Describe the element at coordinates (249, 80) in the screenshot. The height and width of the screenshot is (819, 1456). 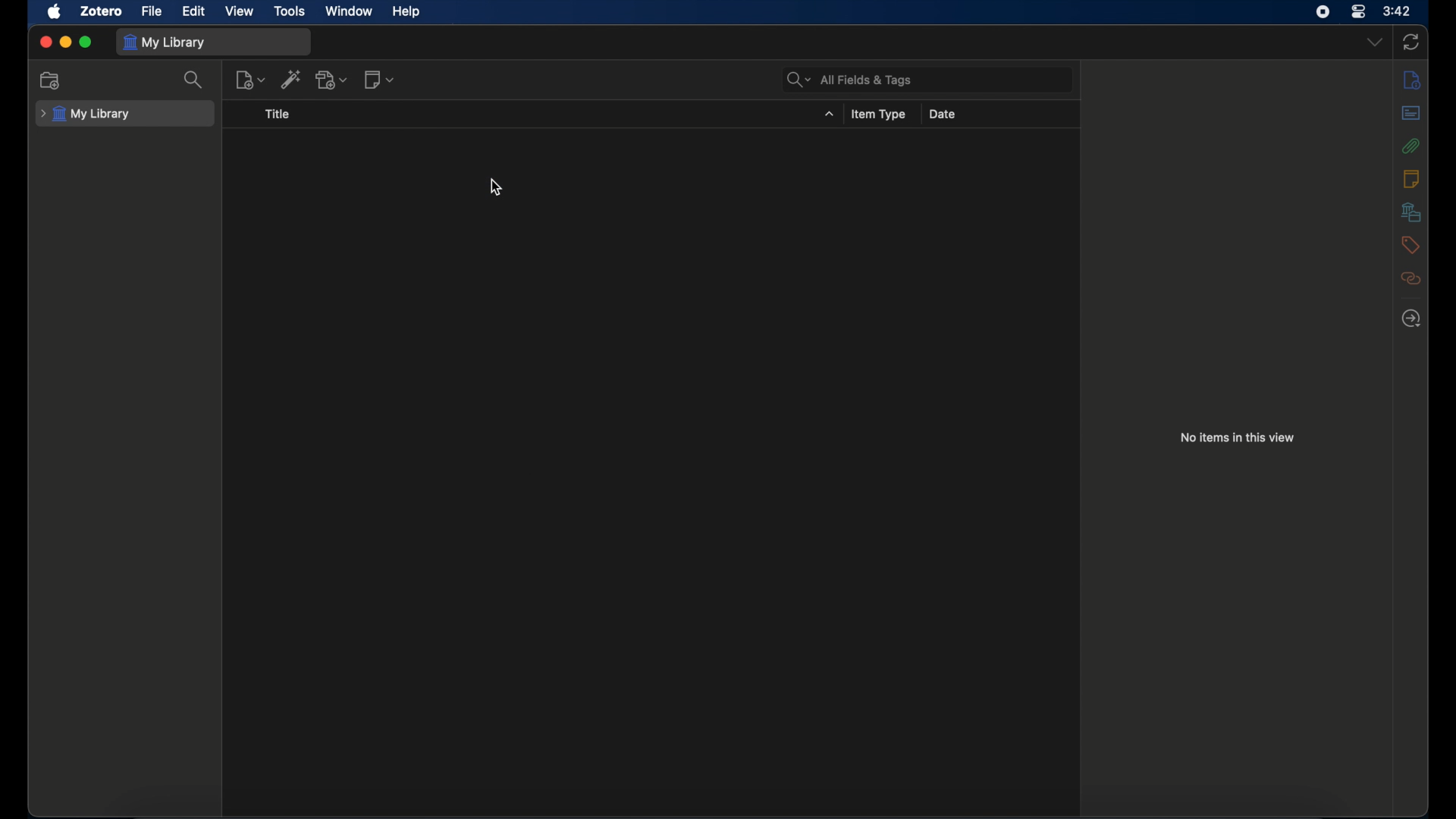
I see `new item` at that location.